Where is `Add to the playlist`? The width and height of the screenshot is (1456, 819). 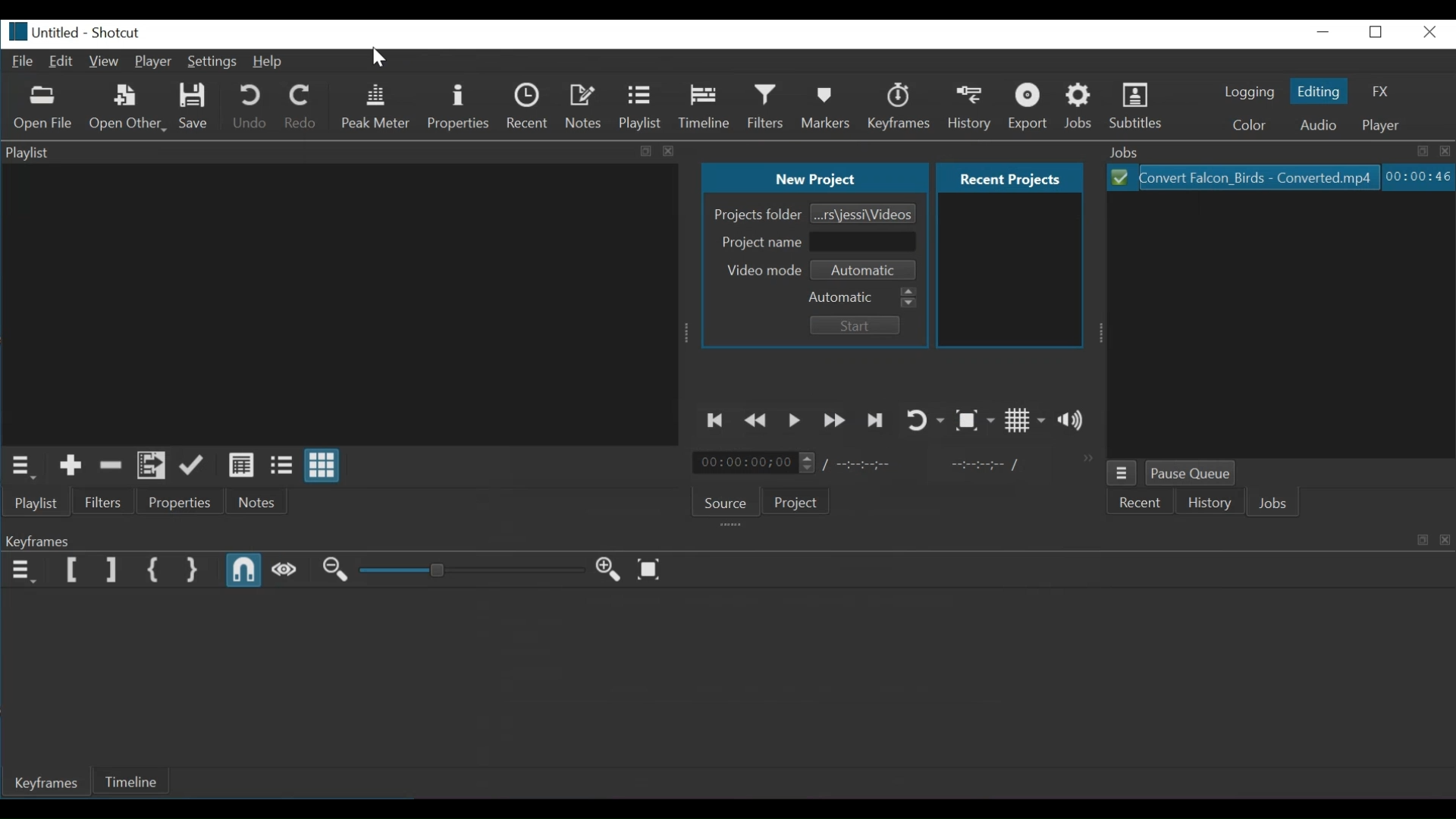
Add to the playlist is located at coordinates (71, 466).